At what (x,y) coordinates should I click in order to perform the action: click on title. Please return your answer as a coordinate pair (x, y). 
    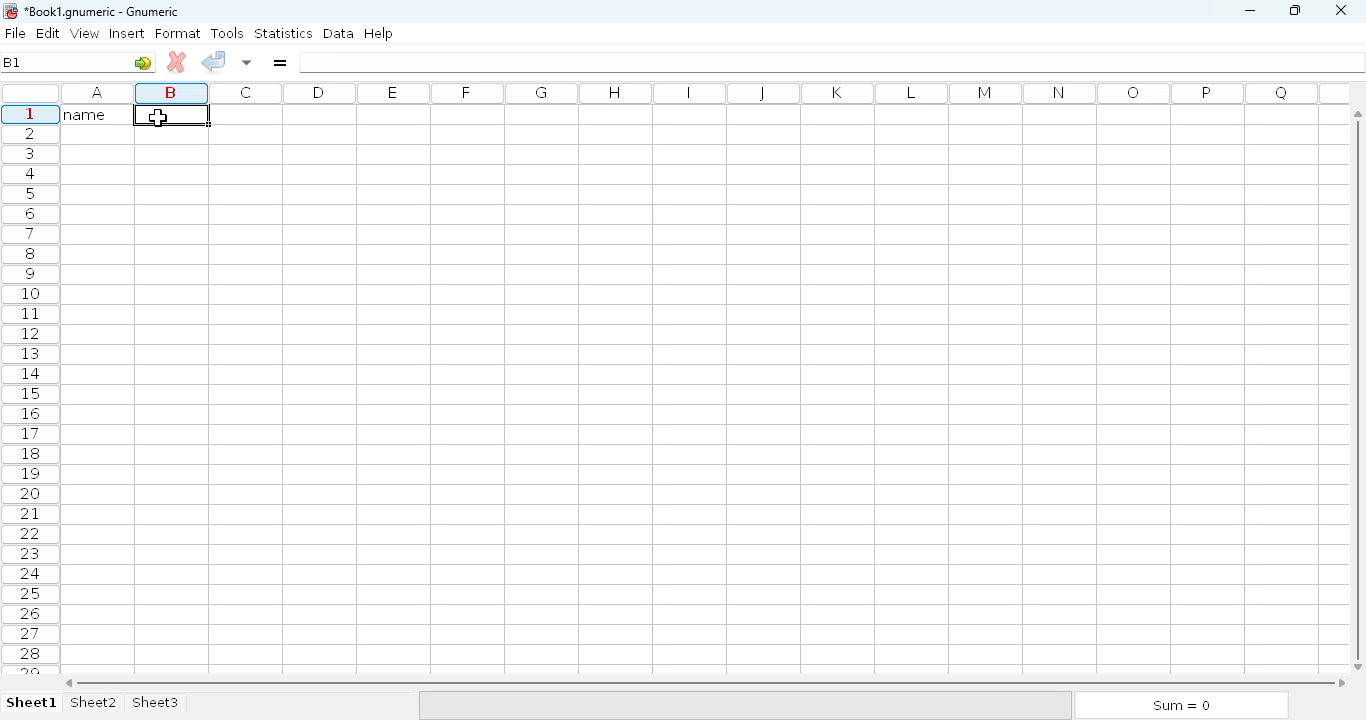
    Looking at the image, I should click on (103, 12).